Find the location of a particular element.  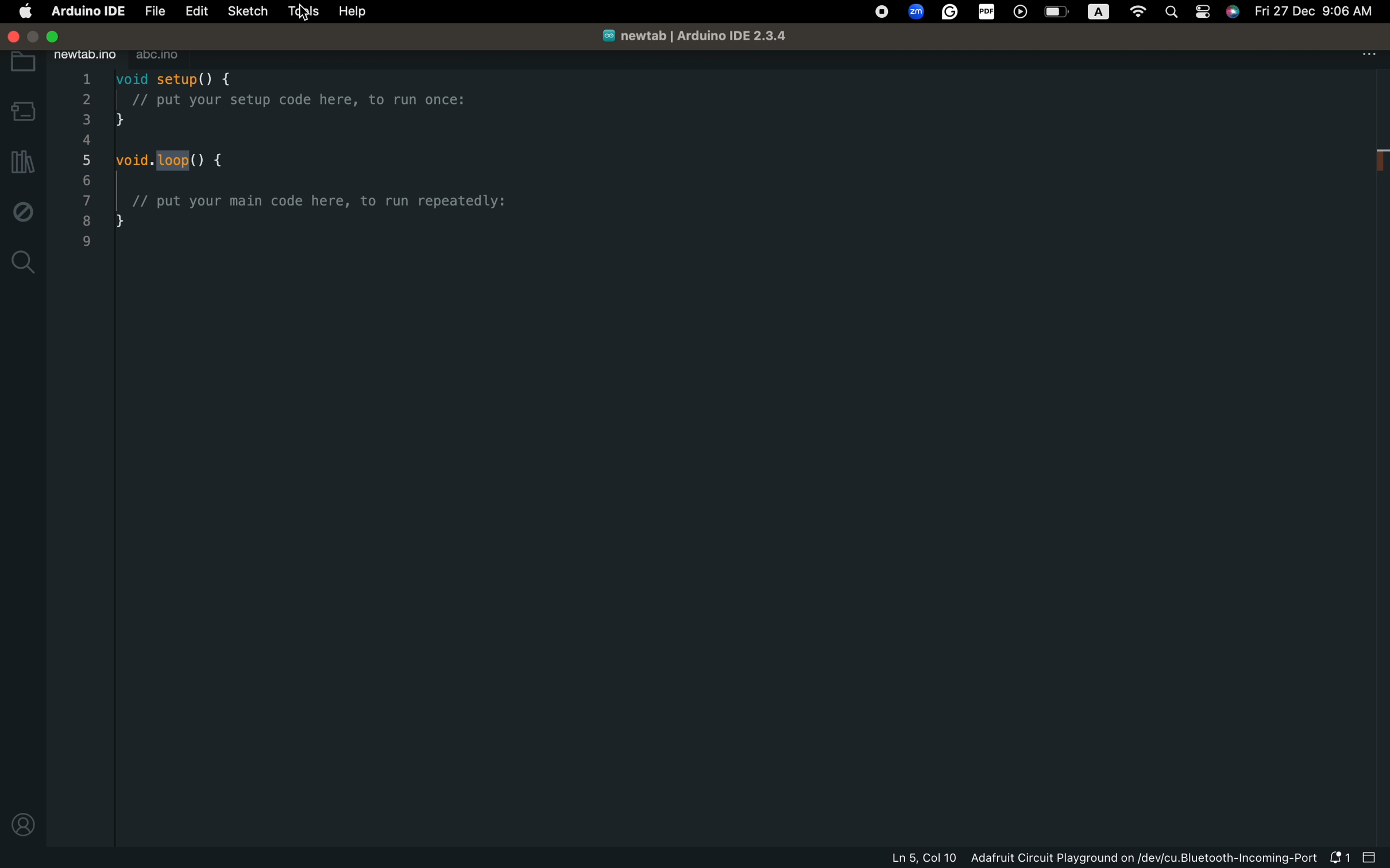

Fri 27 Dec 9:06 AM is located at coordinates (1312, 12).